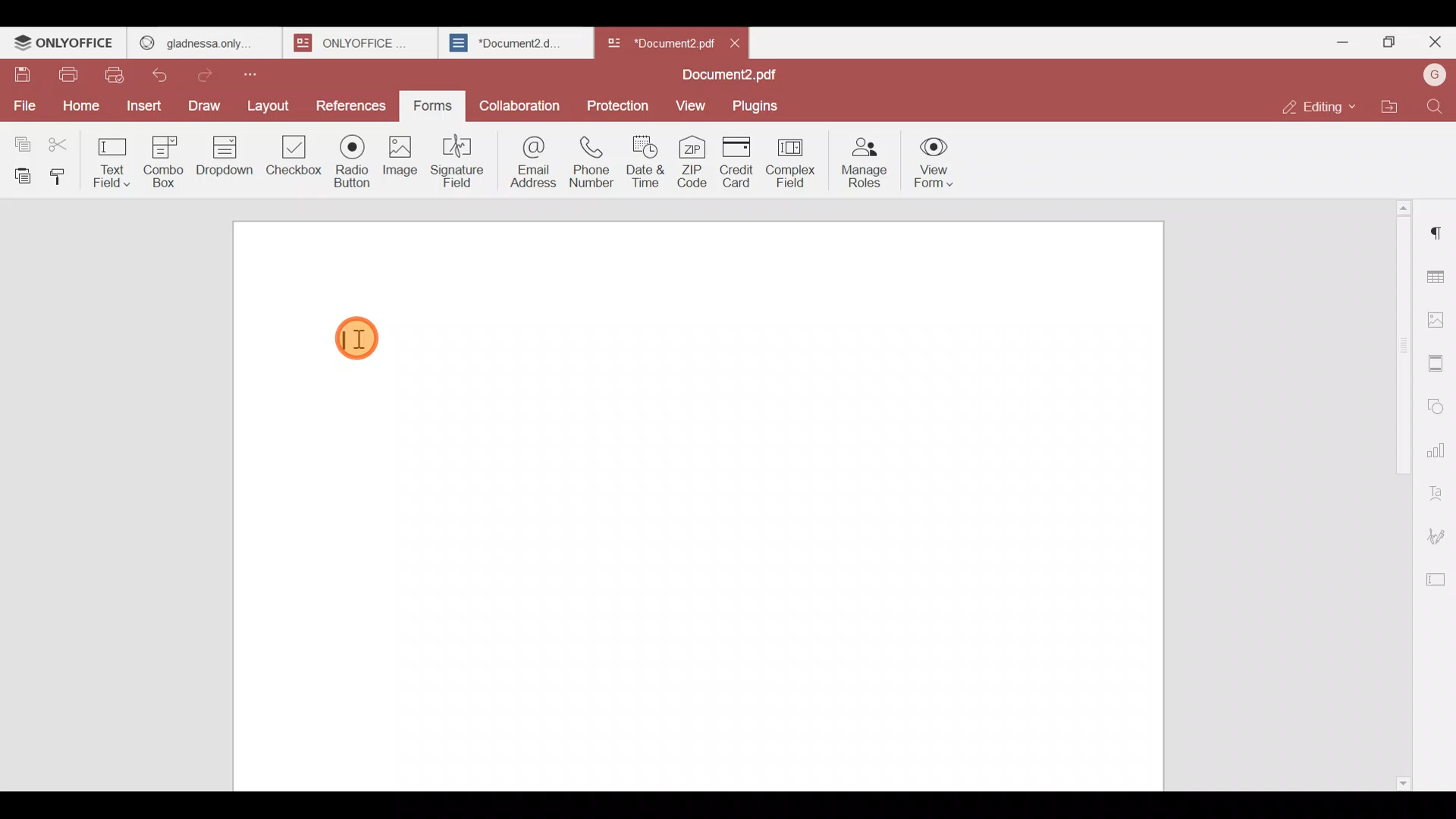 This screenshot has width=1456, height=819. I want to click on Document2.pdf, so click(724, 76).